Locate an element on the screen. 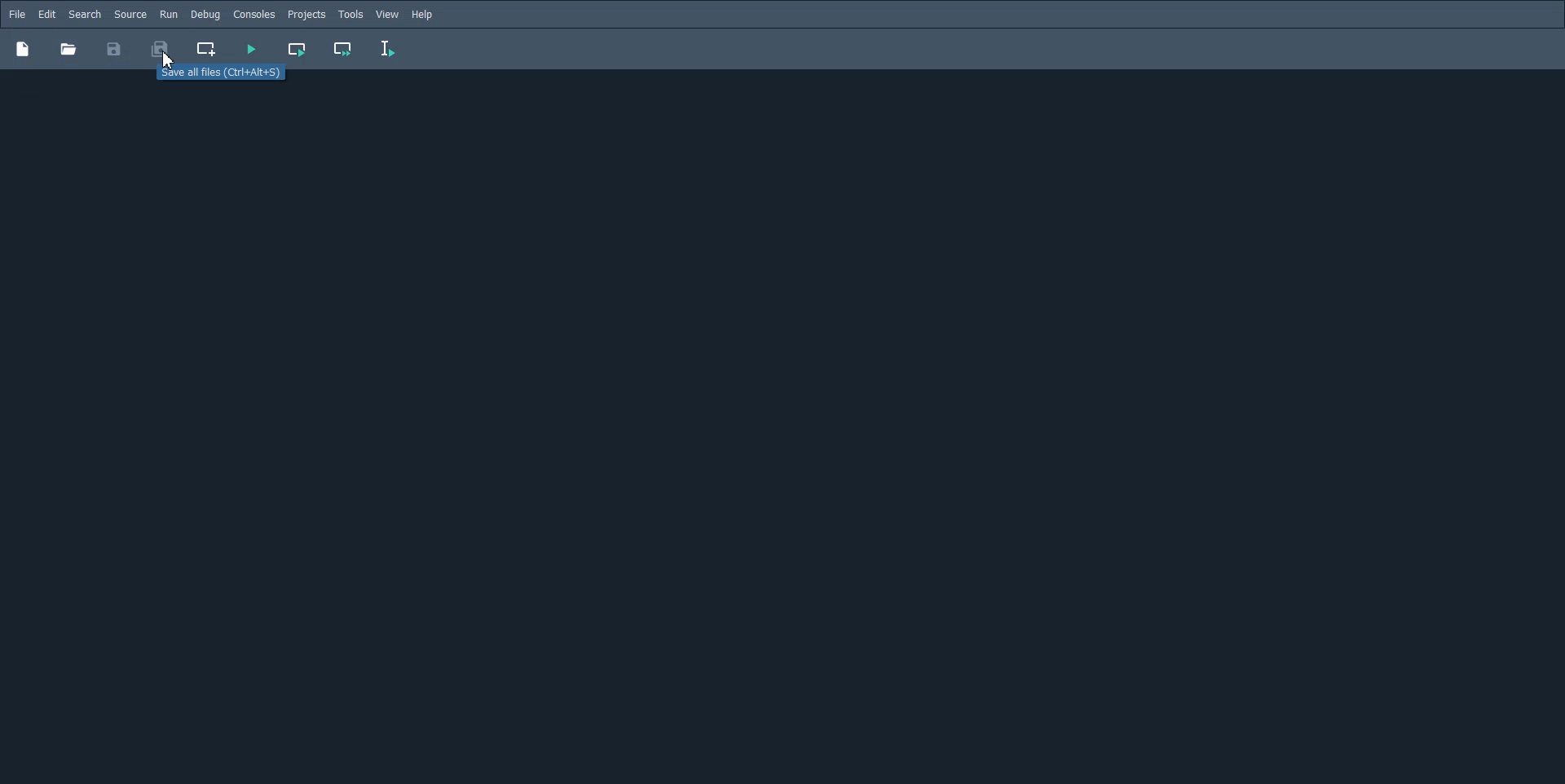  Projects is located at coordinates (306, 15).